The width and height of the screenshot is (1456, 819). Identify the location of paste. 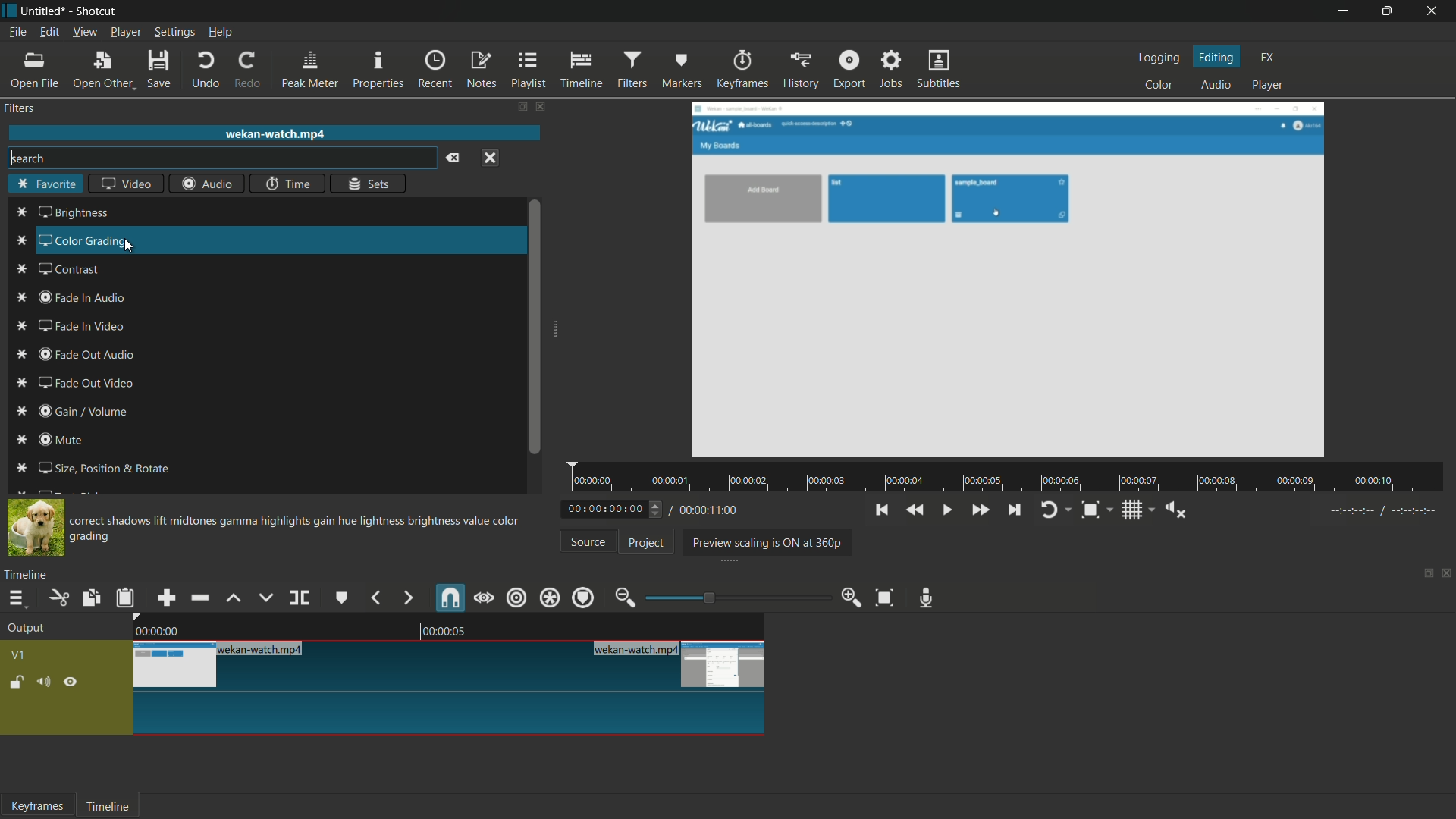
(126, 599).